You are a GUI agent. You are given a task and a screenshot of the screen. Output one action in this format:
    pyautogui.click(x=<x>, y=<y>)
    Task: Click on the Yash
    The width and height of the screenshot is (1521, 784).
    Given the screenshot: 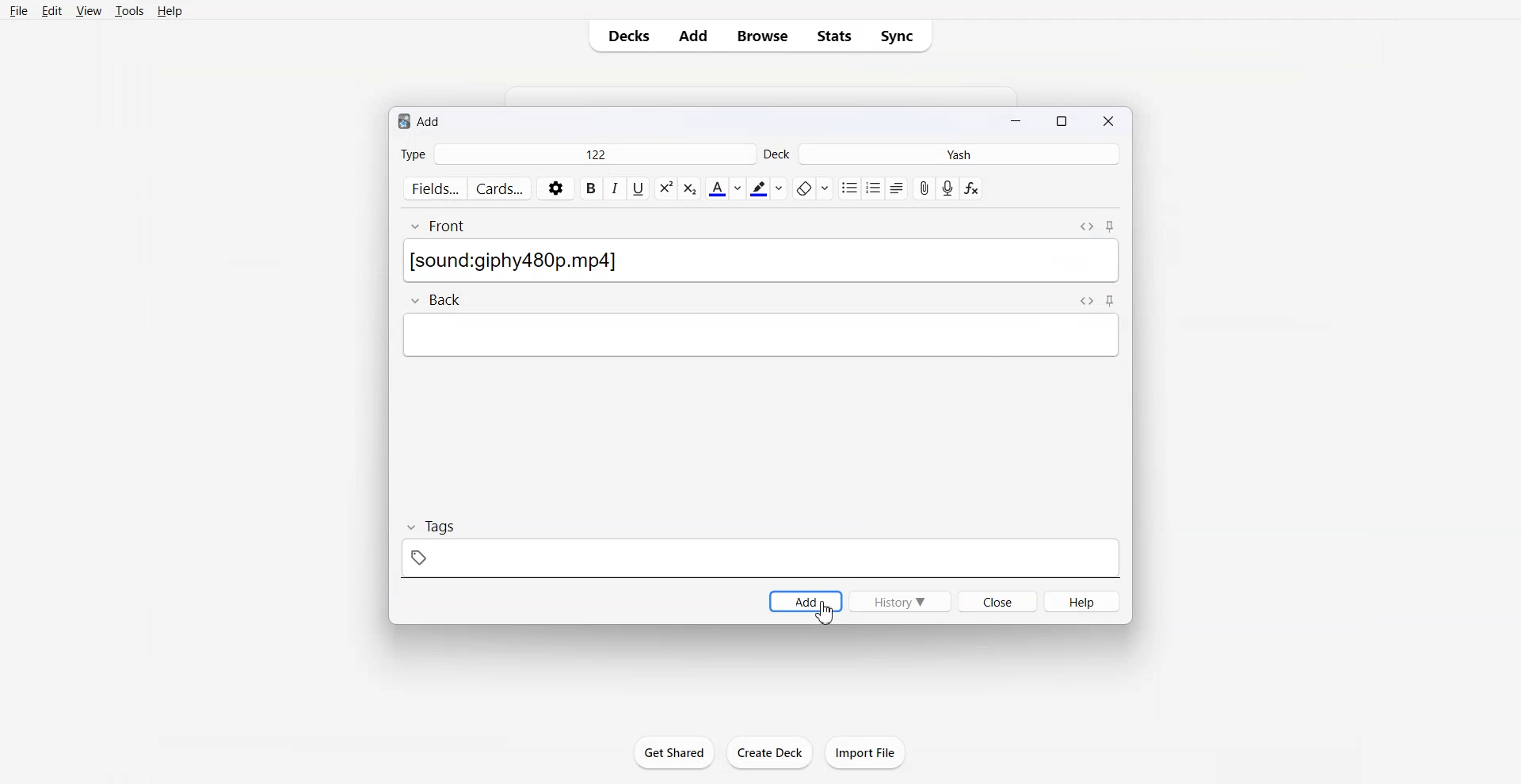 What is the action you would take?
    pyautogui.click(x=959, y=154)
    